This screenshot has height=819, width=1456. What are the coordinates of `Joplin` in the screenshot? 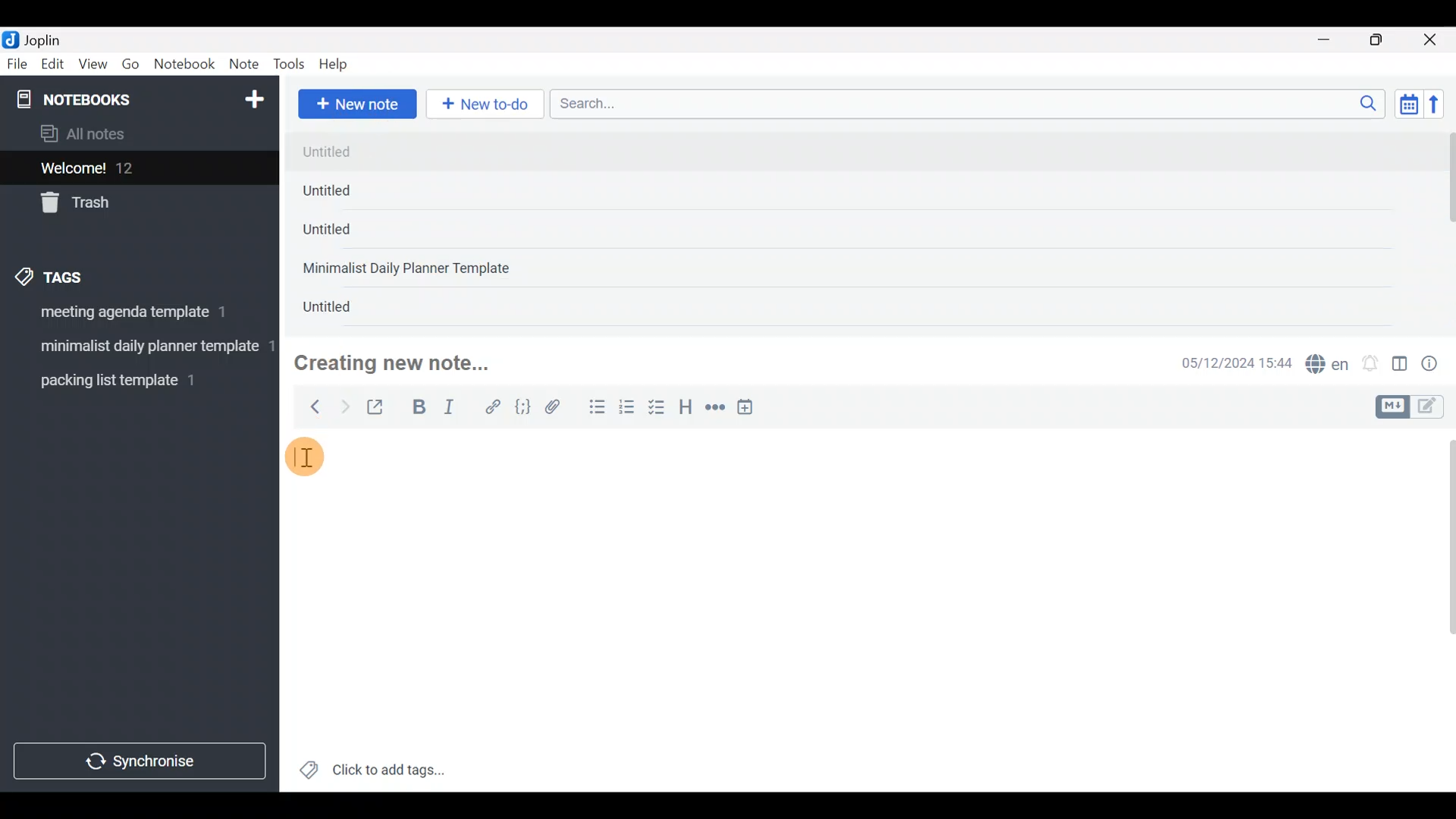 It's located at (52, 38).